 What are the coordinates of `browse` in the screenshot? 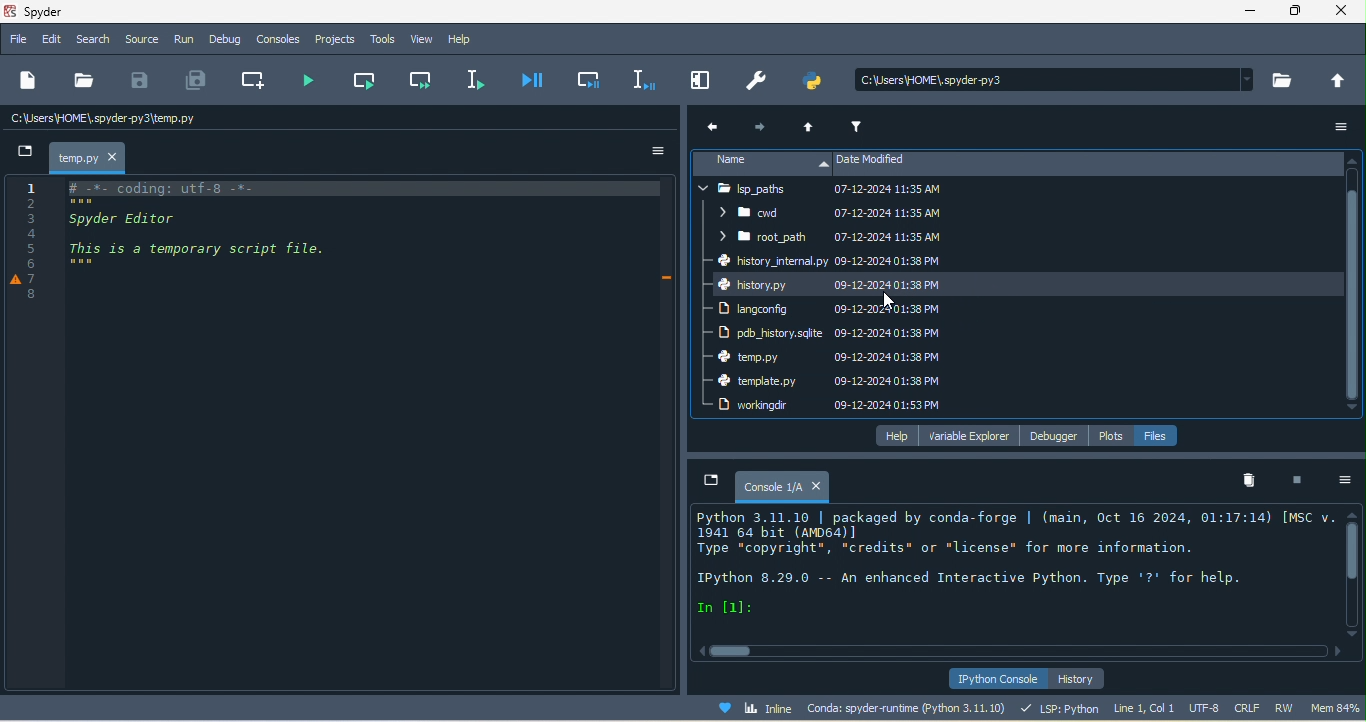 It's located at (1283, 81).